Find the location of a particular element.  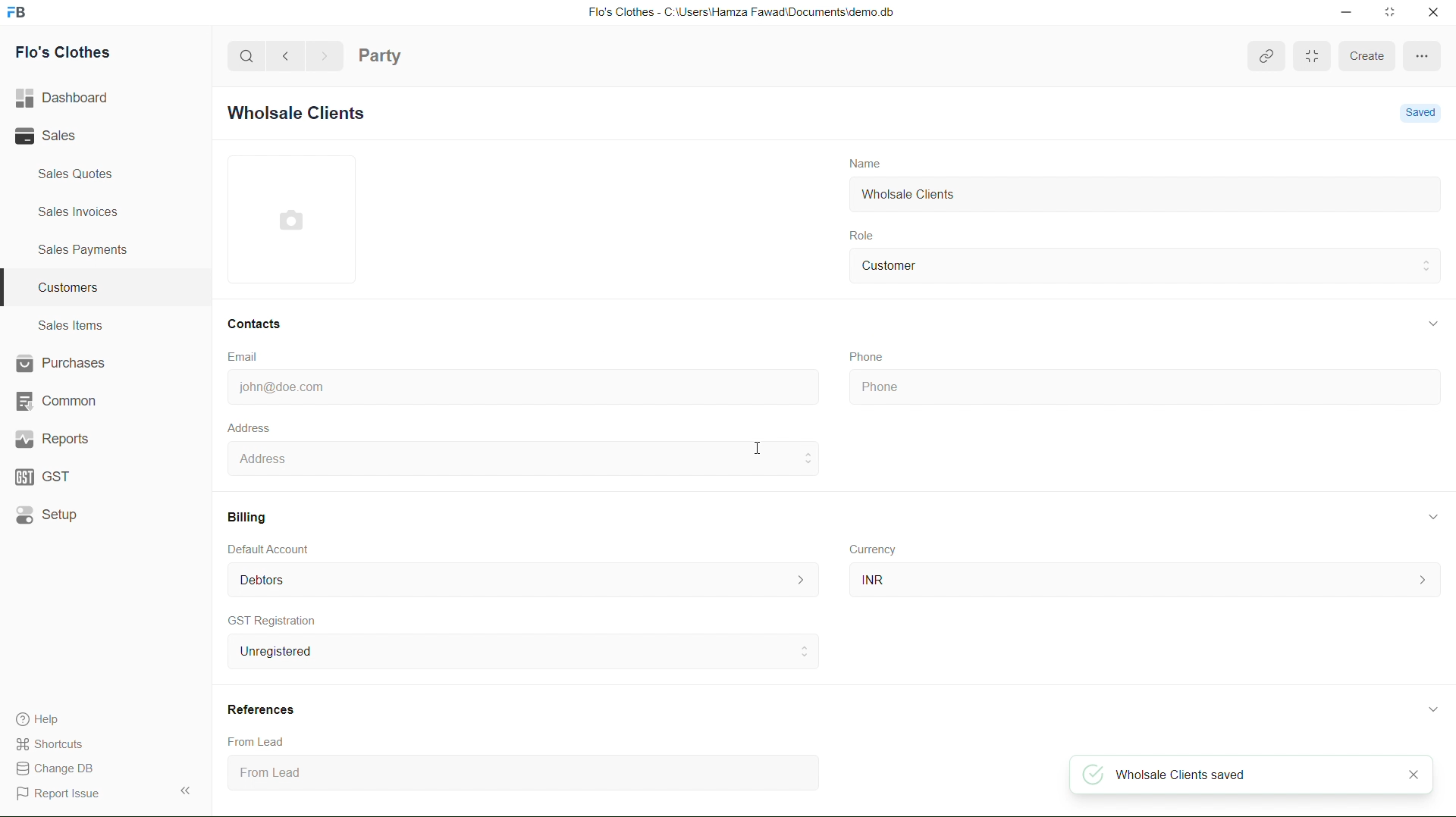

Wholsale Clients is located at coordinates (910, 195).